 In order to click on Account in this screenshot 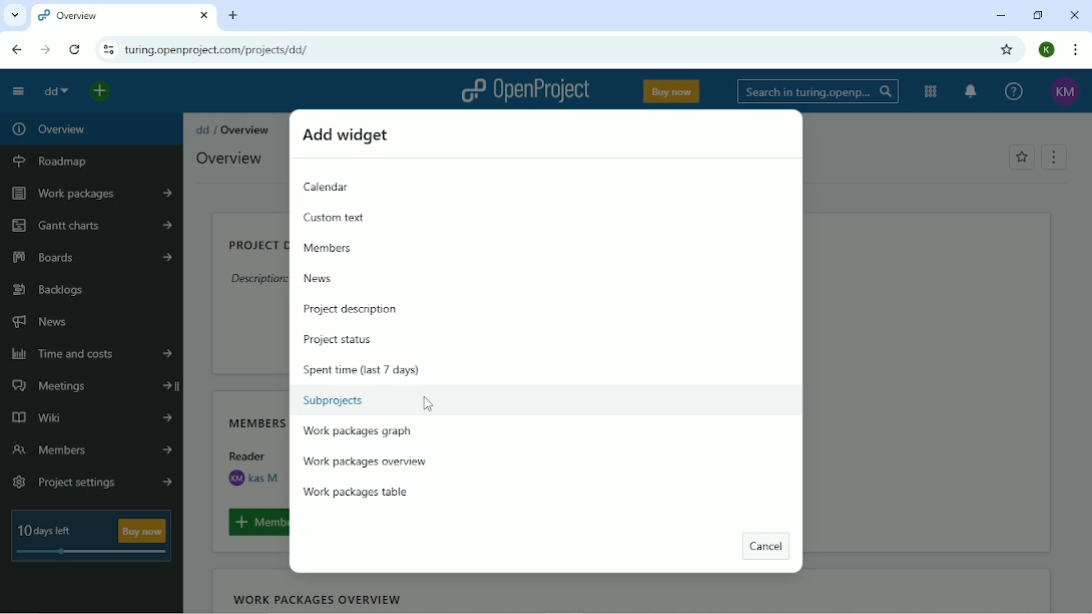, I will do `click(1065, 92)`.